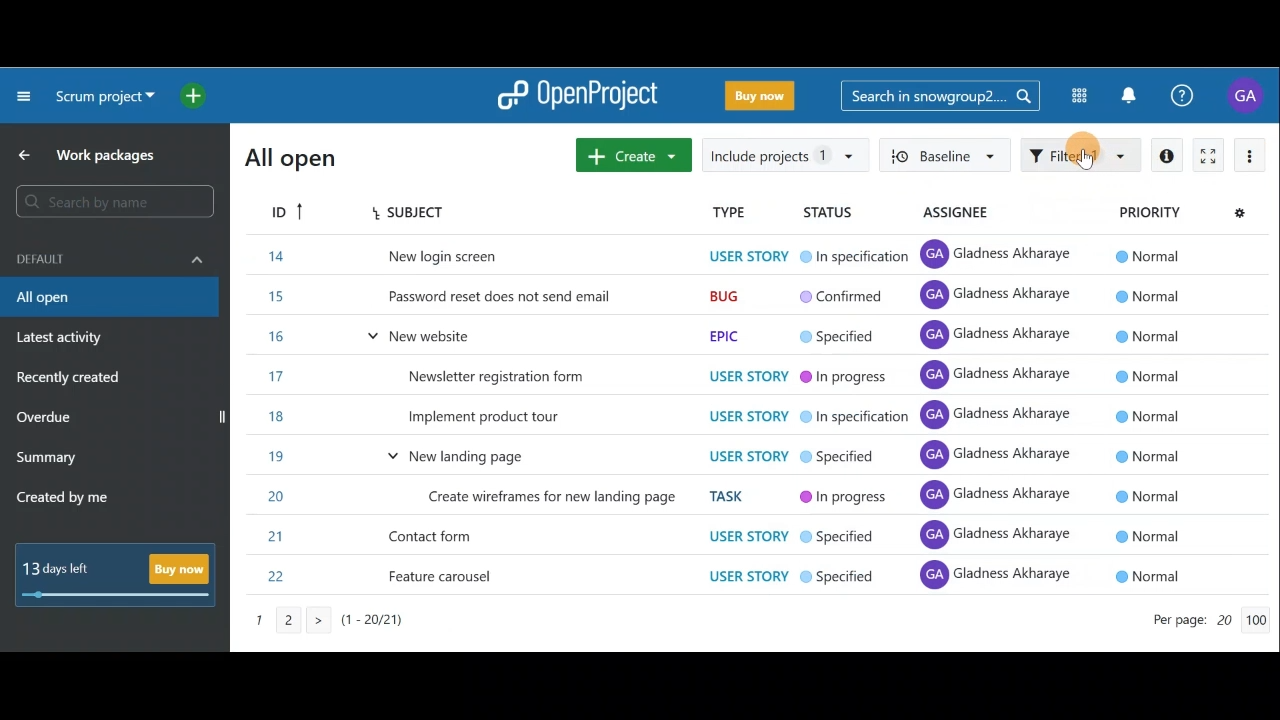 Image resolution: width=1280 pixels, height=720 pixels. Describe the element at coordinates (1193, 96) in the screenshot. I see `Help` at that location.